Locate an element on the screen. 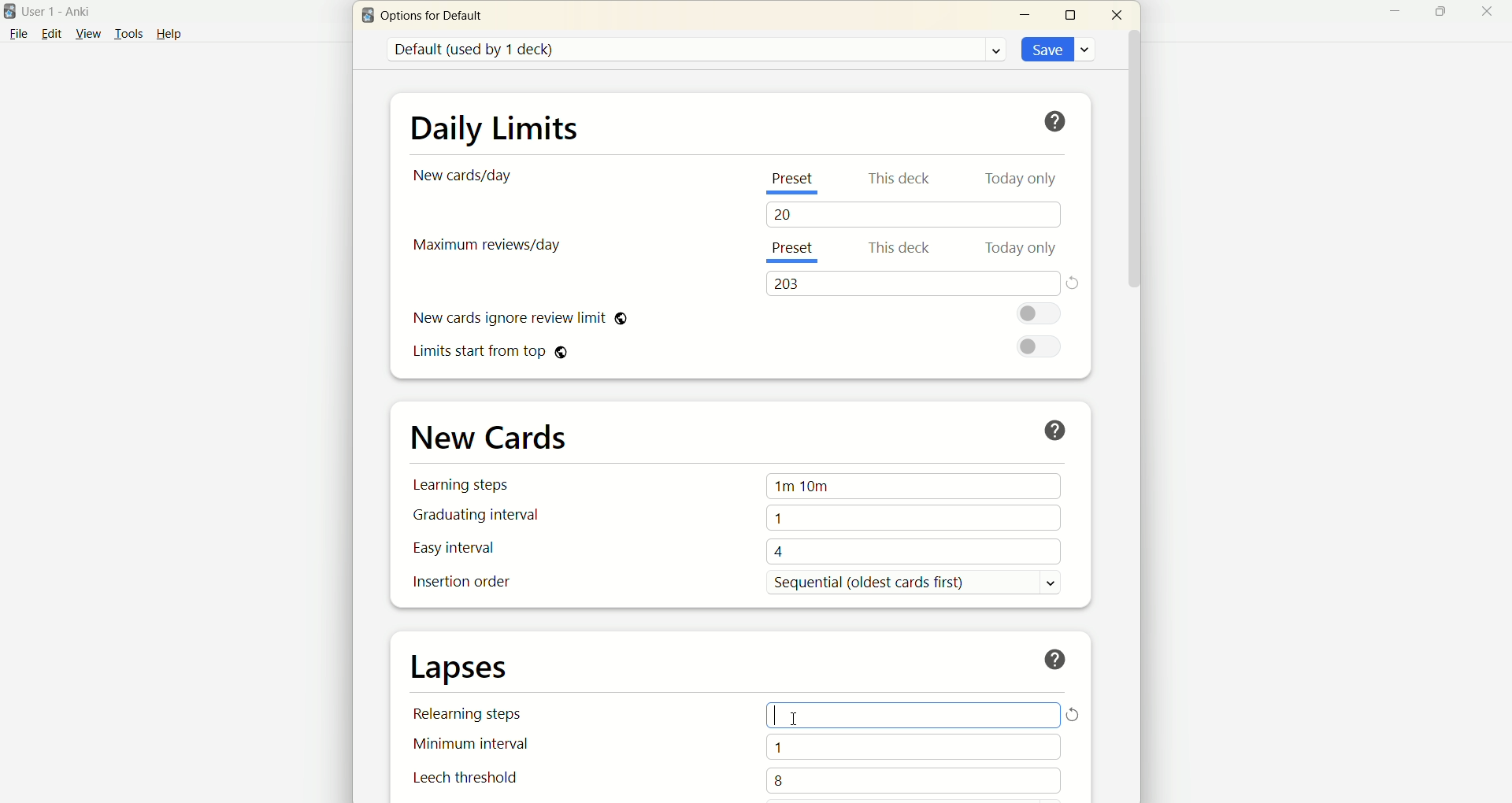 The width and height of the screenshot is (1512, 803). help is located at coordinates (1058, 659).